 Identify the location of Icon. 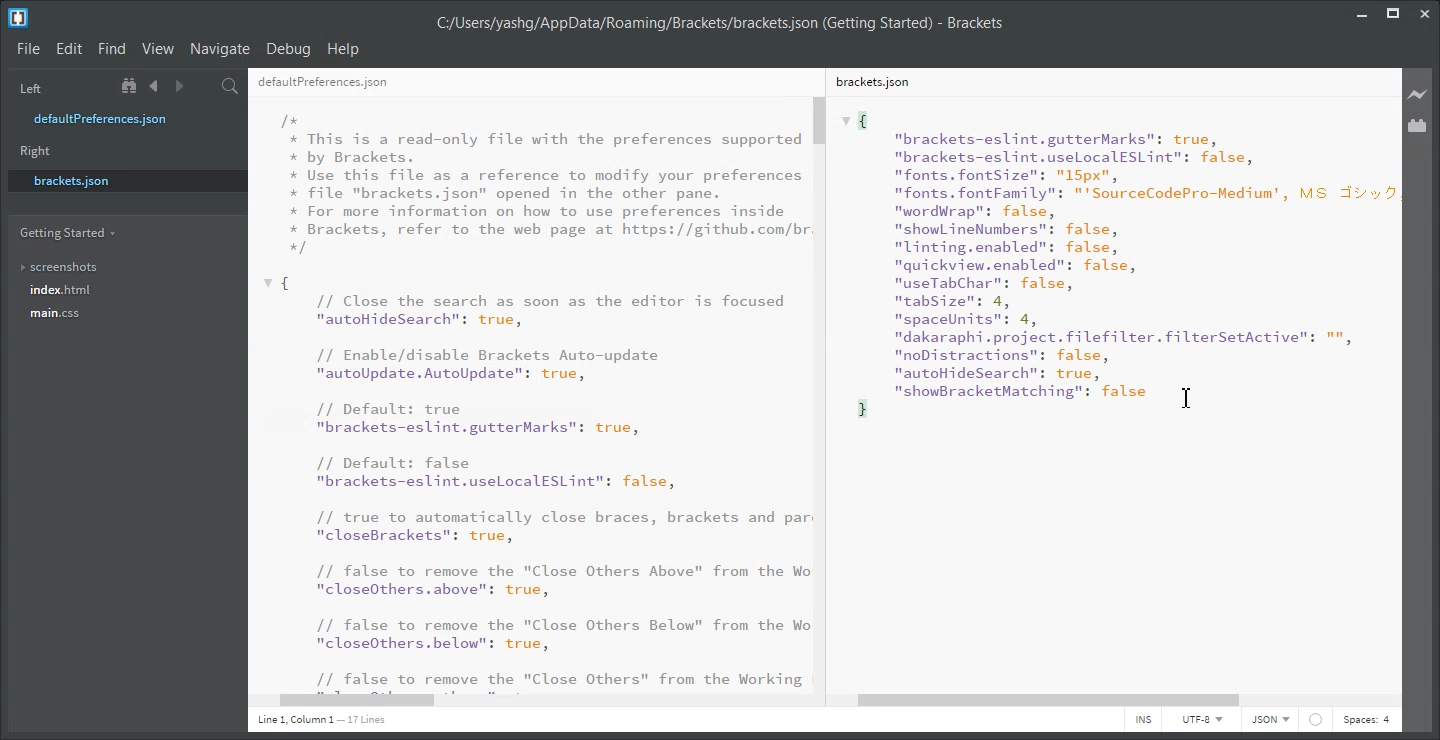
(1316, 720).